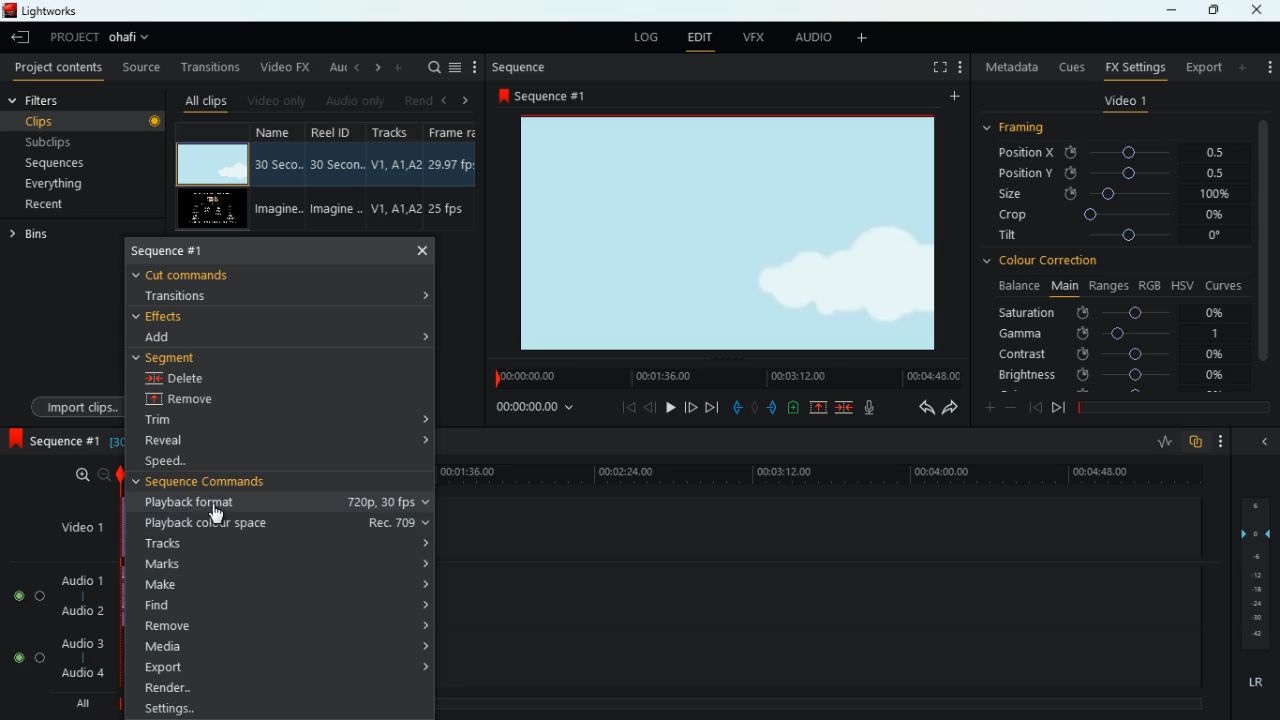  Describe the element at coordinates (1064, 285) in the screenshot. I see `main` at that location.